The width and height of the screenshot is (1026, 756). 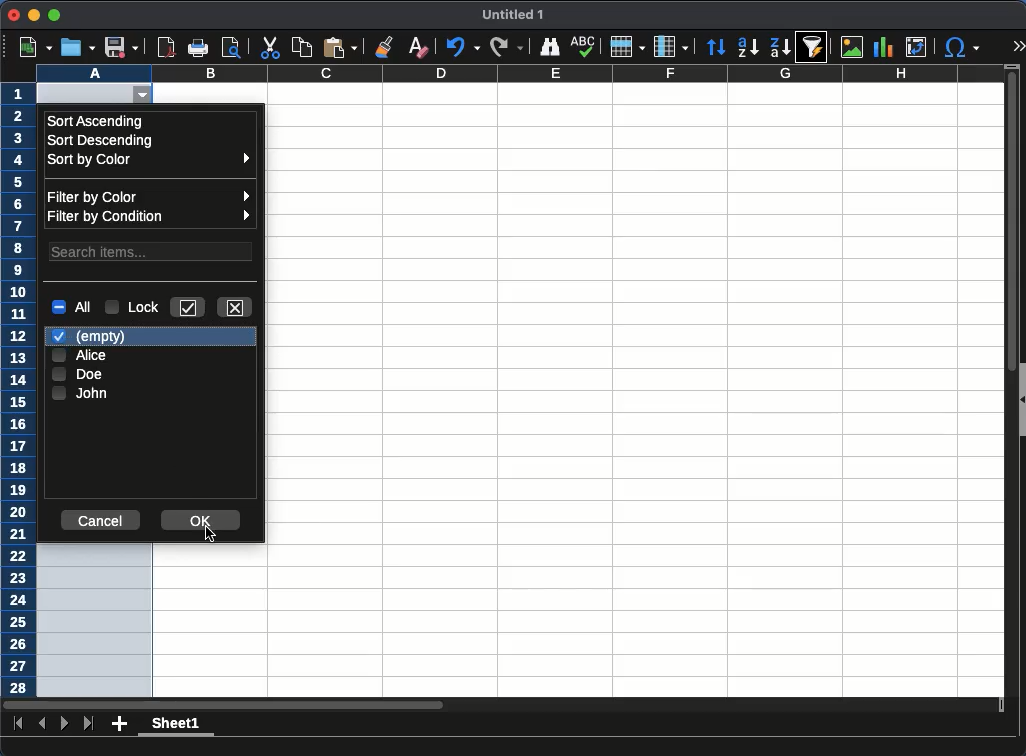 I want to click on keep, so click(x=186, y=307).